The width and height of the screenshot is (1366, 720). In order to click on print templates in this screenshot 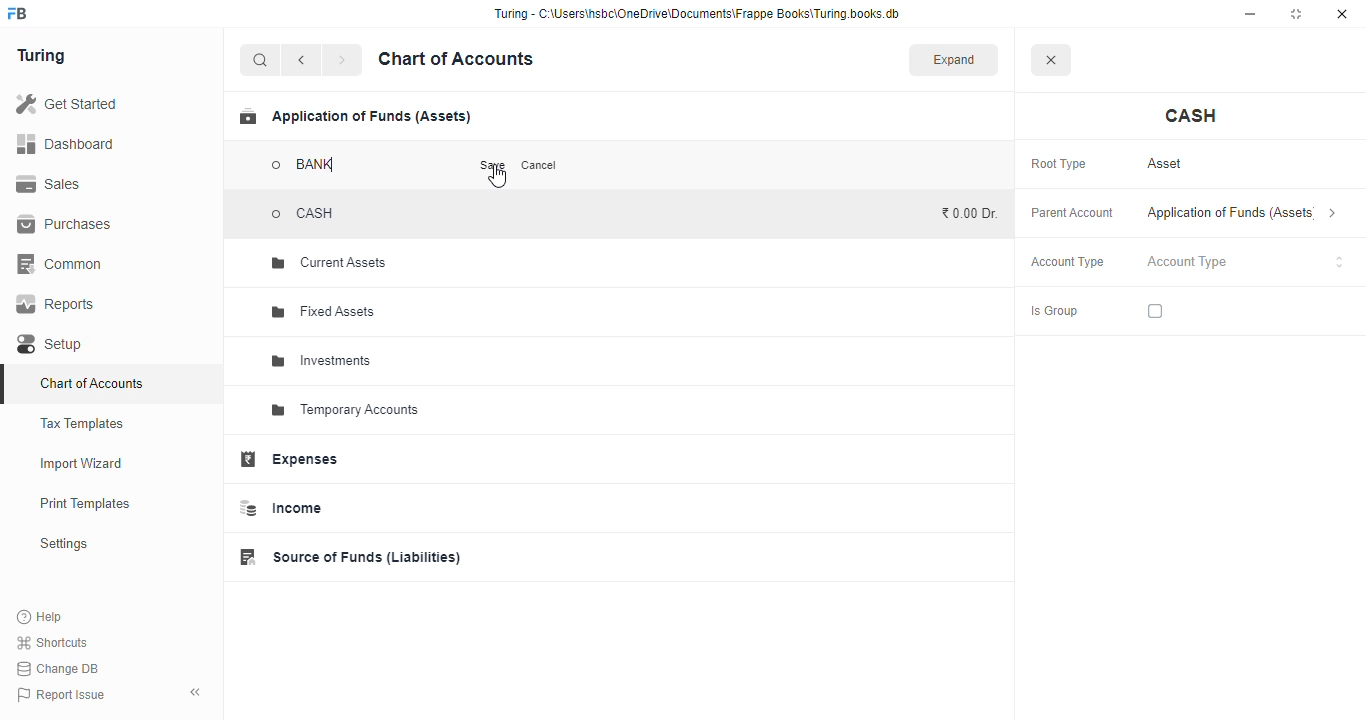, I will do `click(85, 503)`.